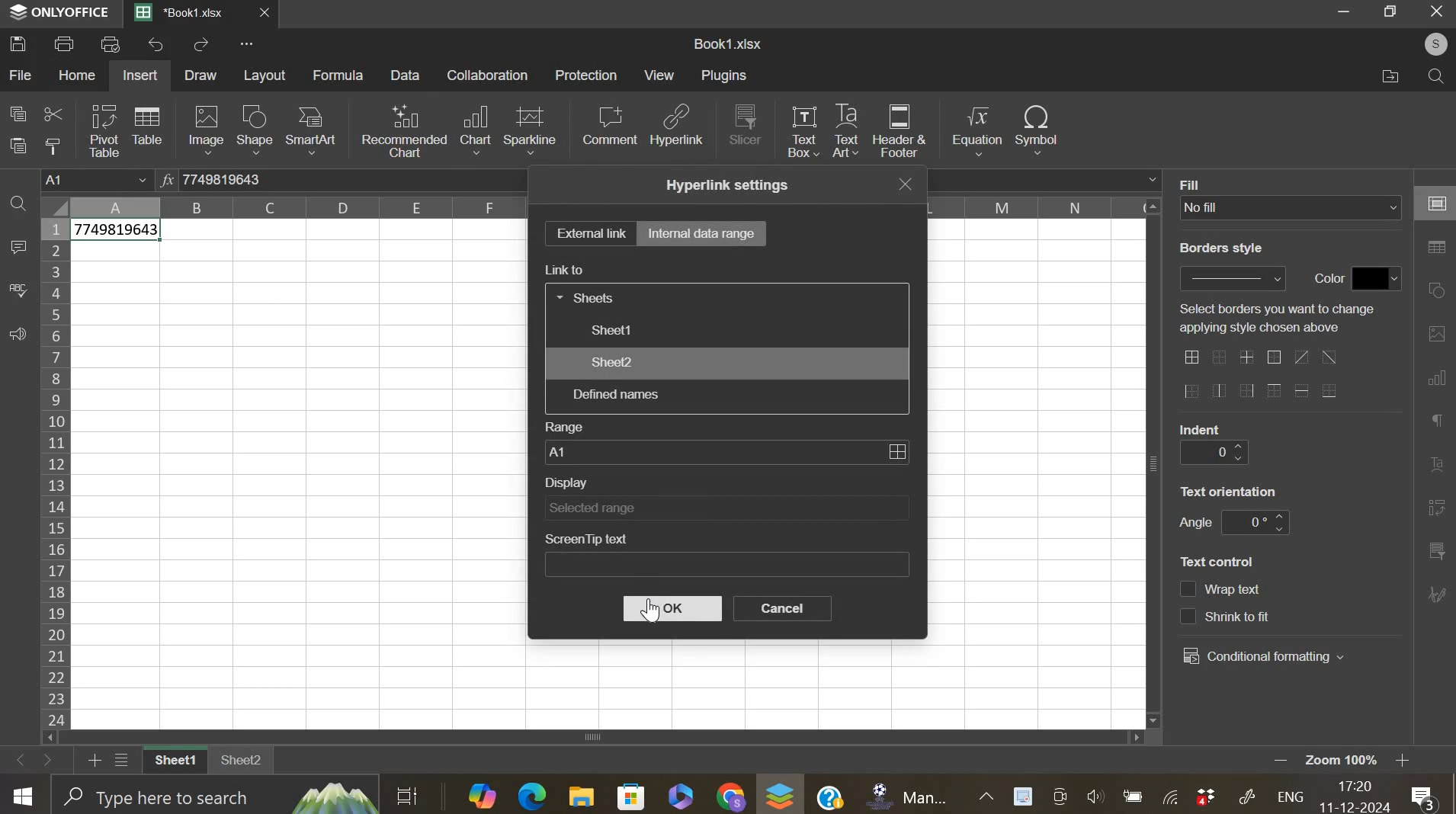  What do you see at coordinates (746, 123) in the screenshot?
I see `slicer` at bounding box center [746, 123].